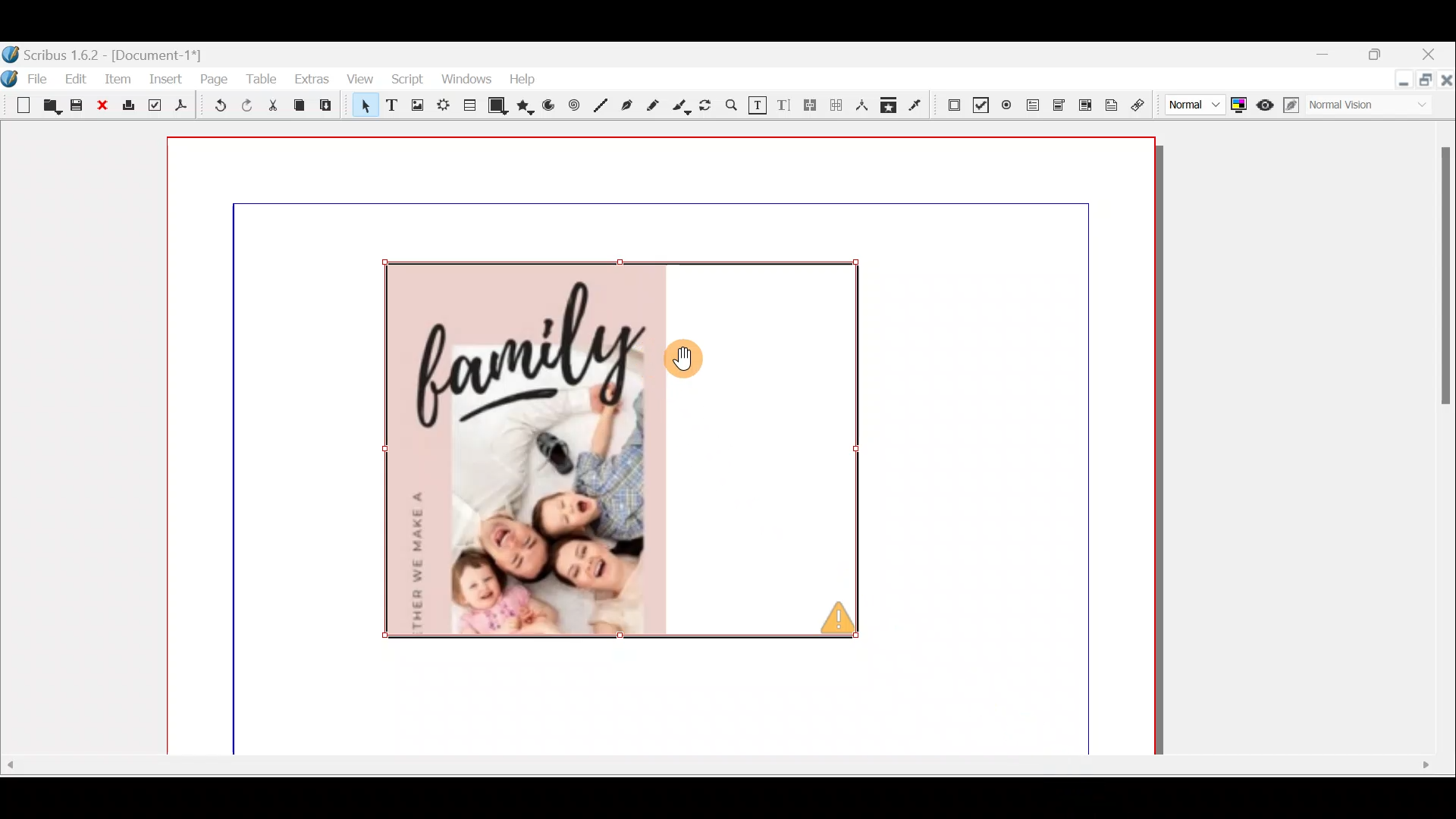 The width and height of the screenshot is (1456, 819). I want to click on Link annotation, so click(1140, 105).